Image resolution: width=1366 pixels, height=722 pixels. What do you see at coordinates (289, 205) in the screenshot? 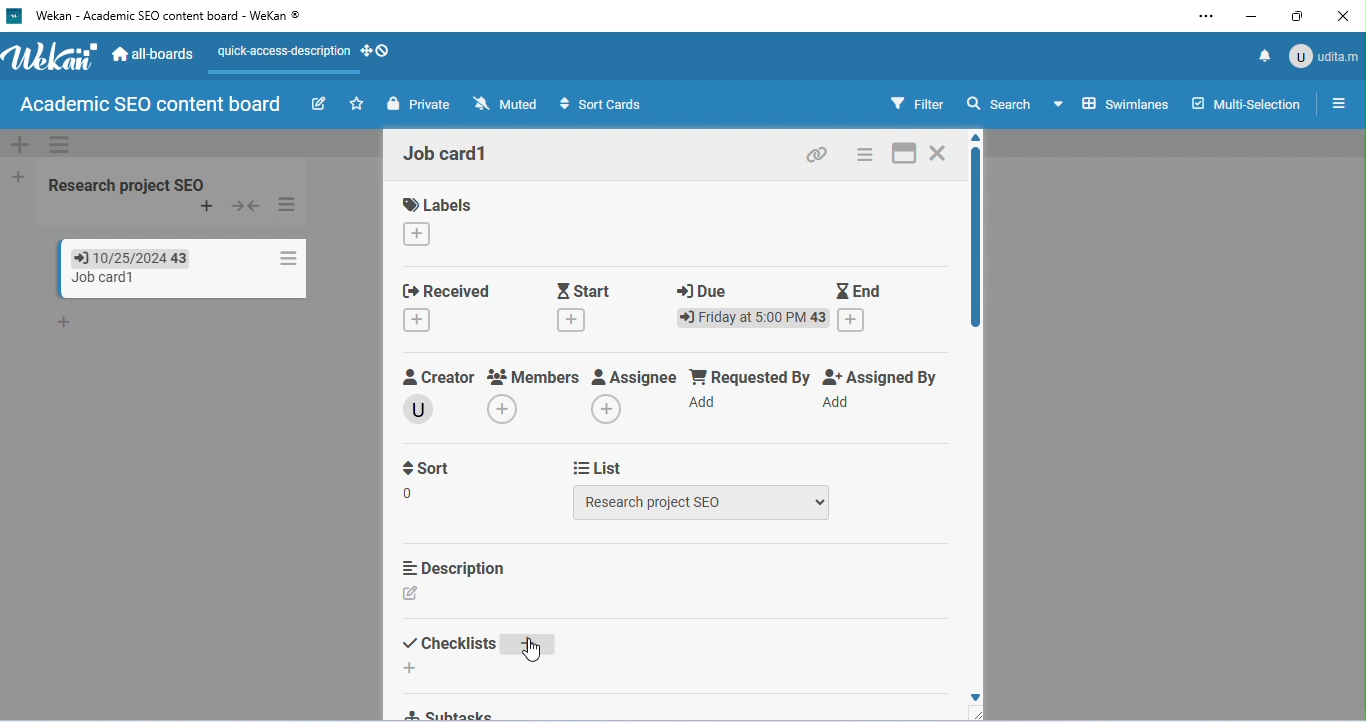
I see `list actions` at bounding box center [289, 205].